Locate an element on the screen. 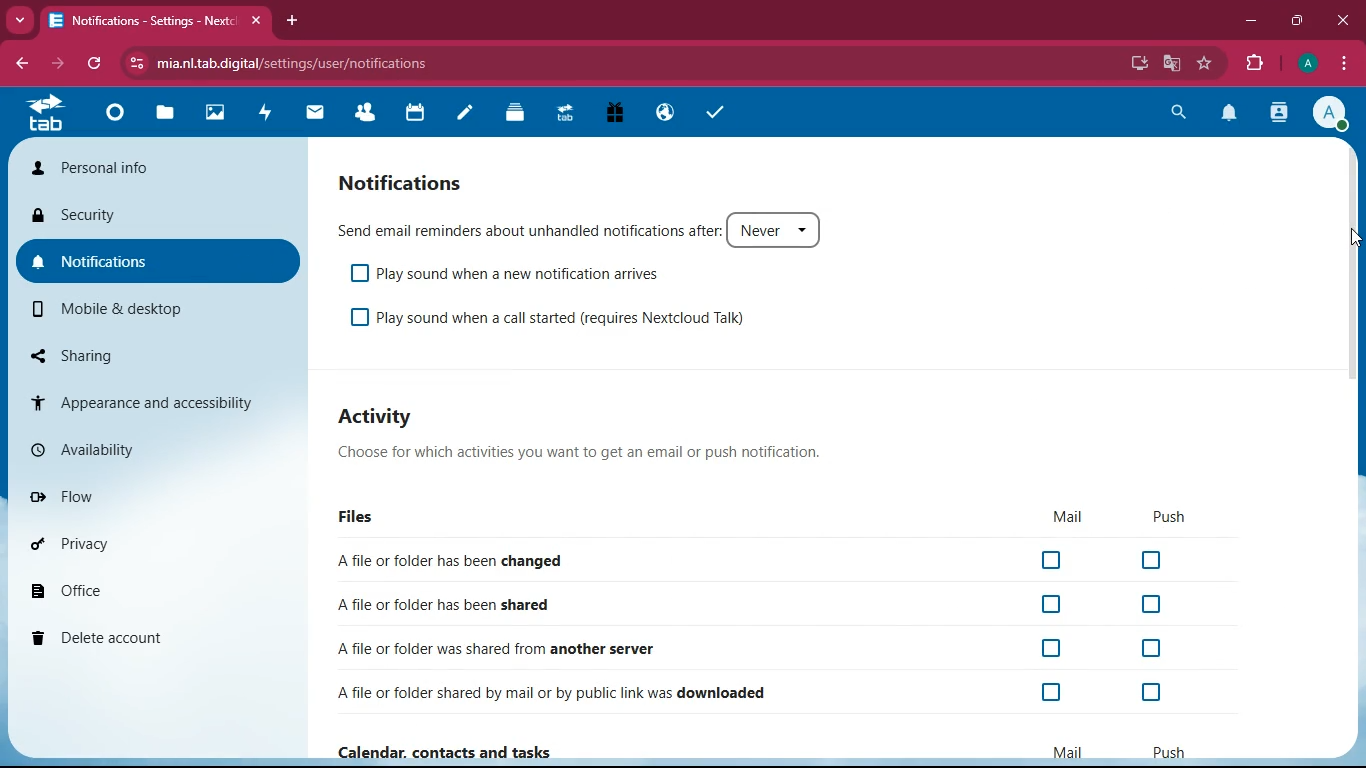 Image resolution: width=1366 pixels, height=768 pixels. Upgrade is located at coordinates (566, 115).